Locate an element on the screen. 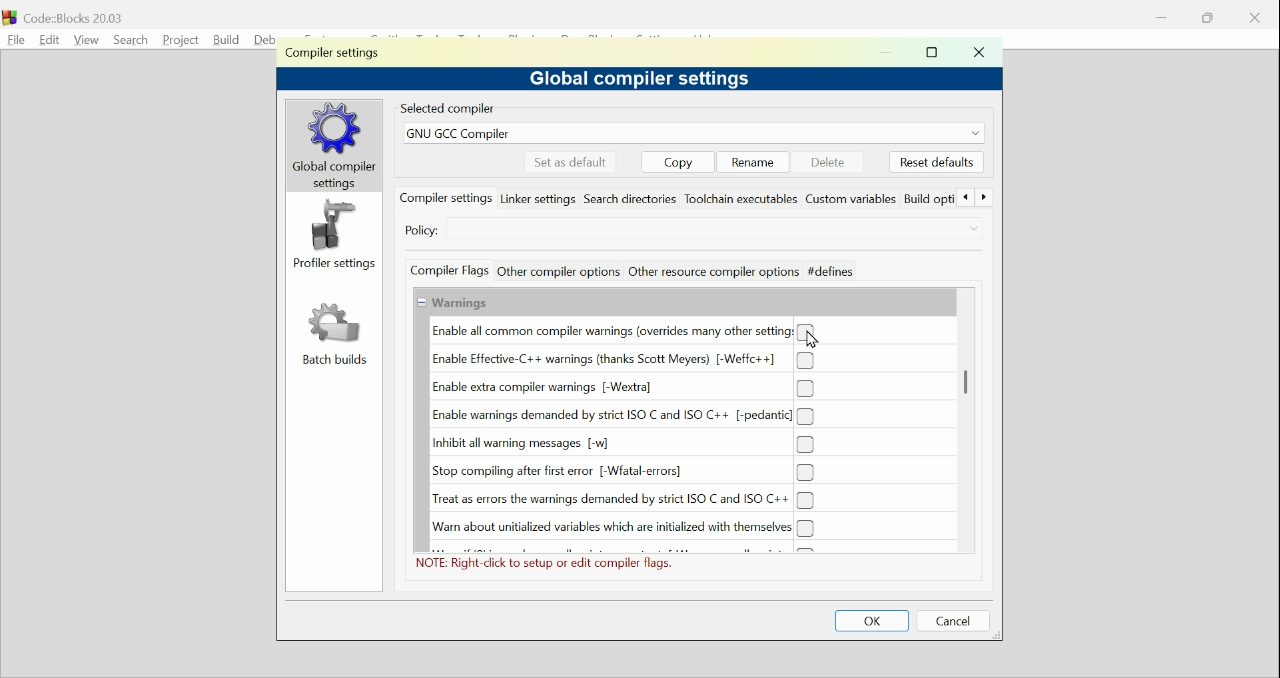 This screenshot has width=1280, height=678. Profiler setting is located at coordinates (336, 235).